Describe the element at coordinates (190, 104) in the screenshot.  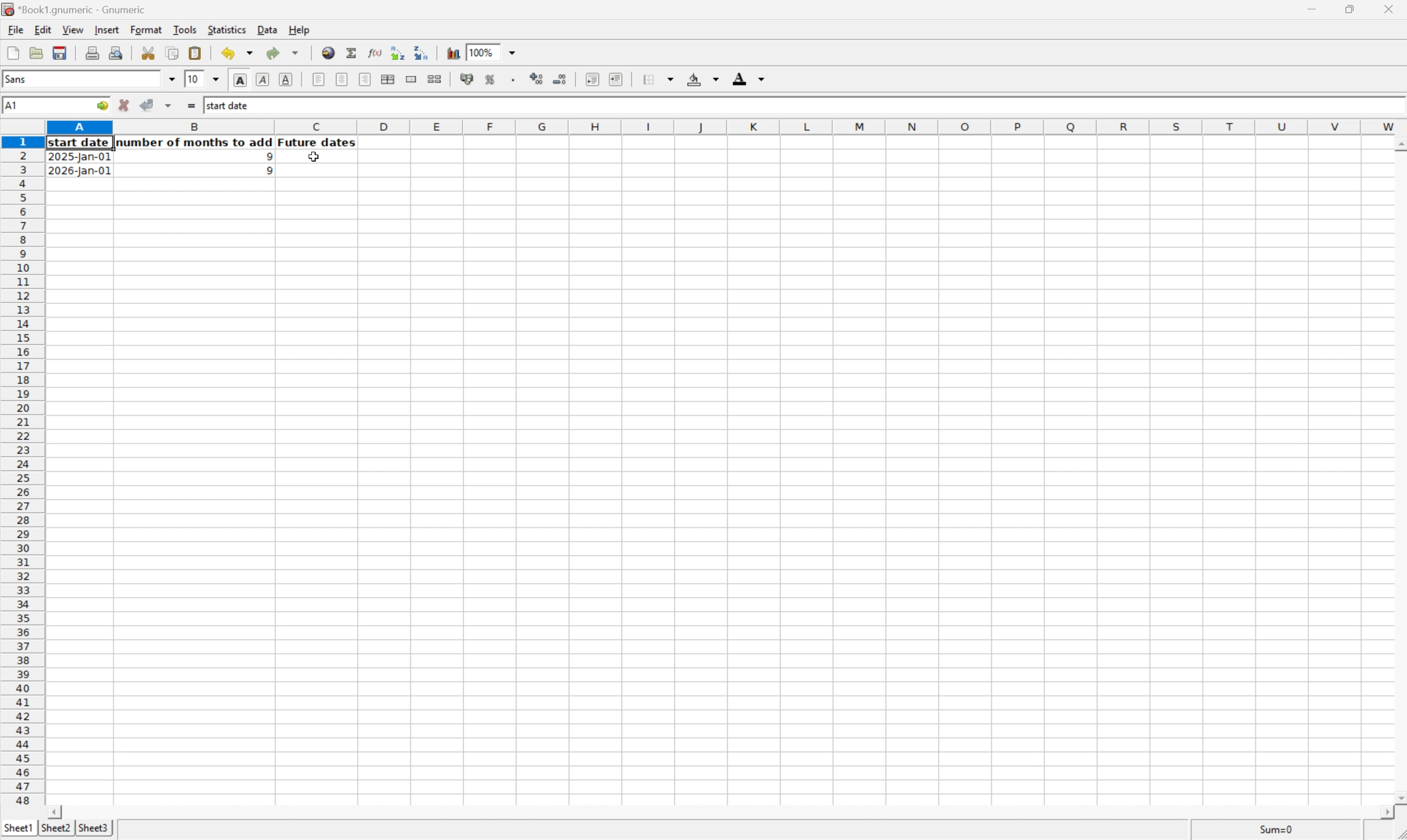
I see `Enter formula` at that location.